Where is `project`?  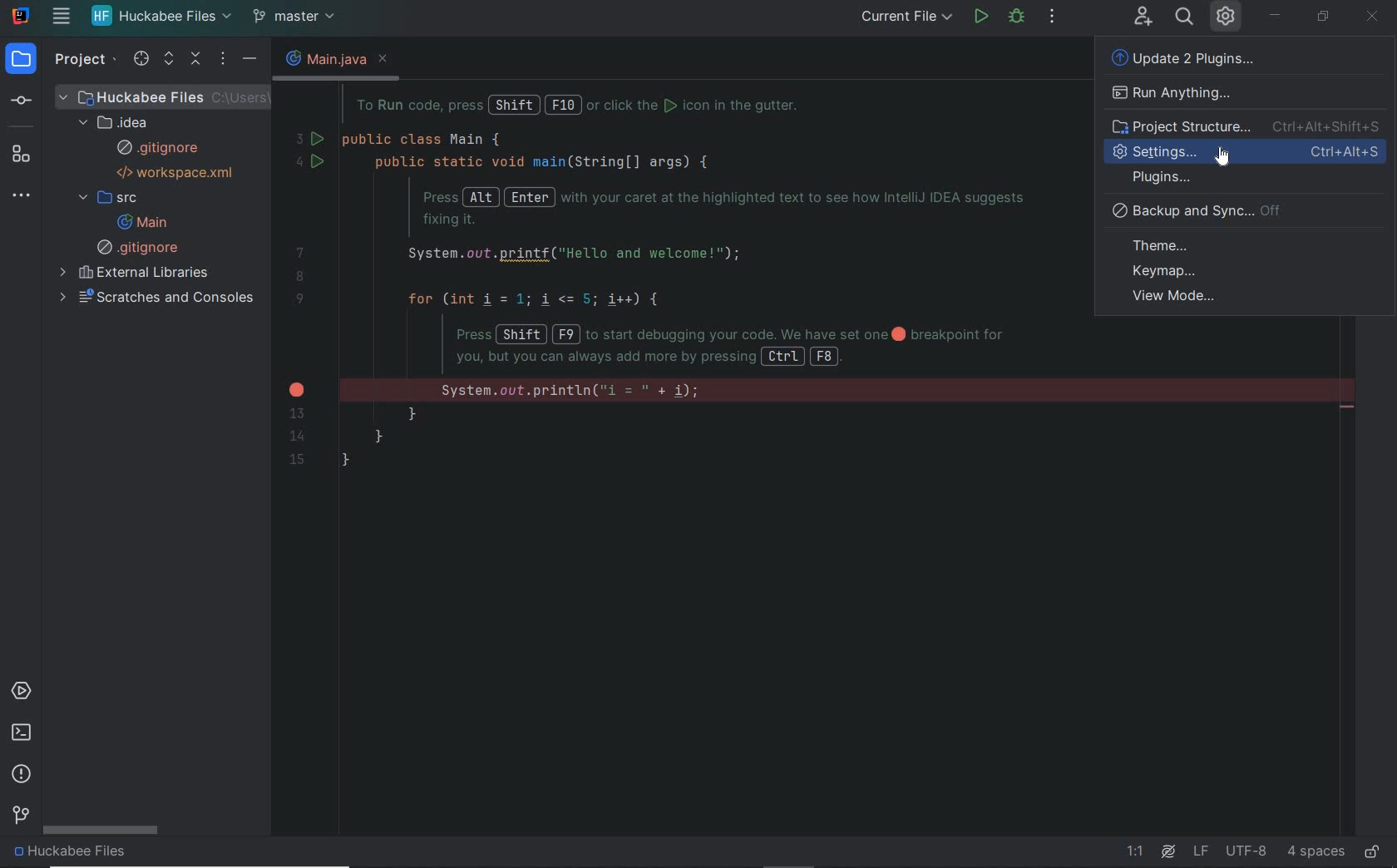 project is located at coordinates (86, 63).